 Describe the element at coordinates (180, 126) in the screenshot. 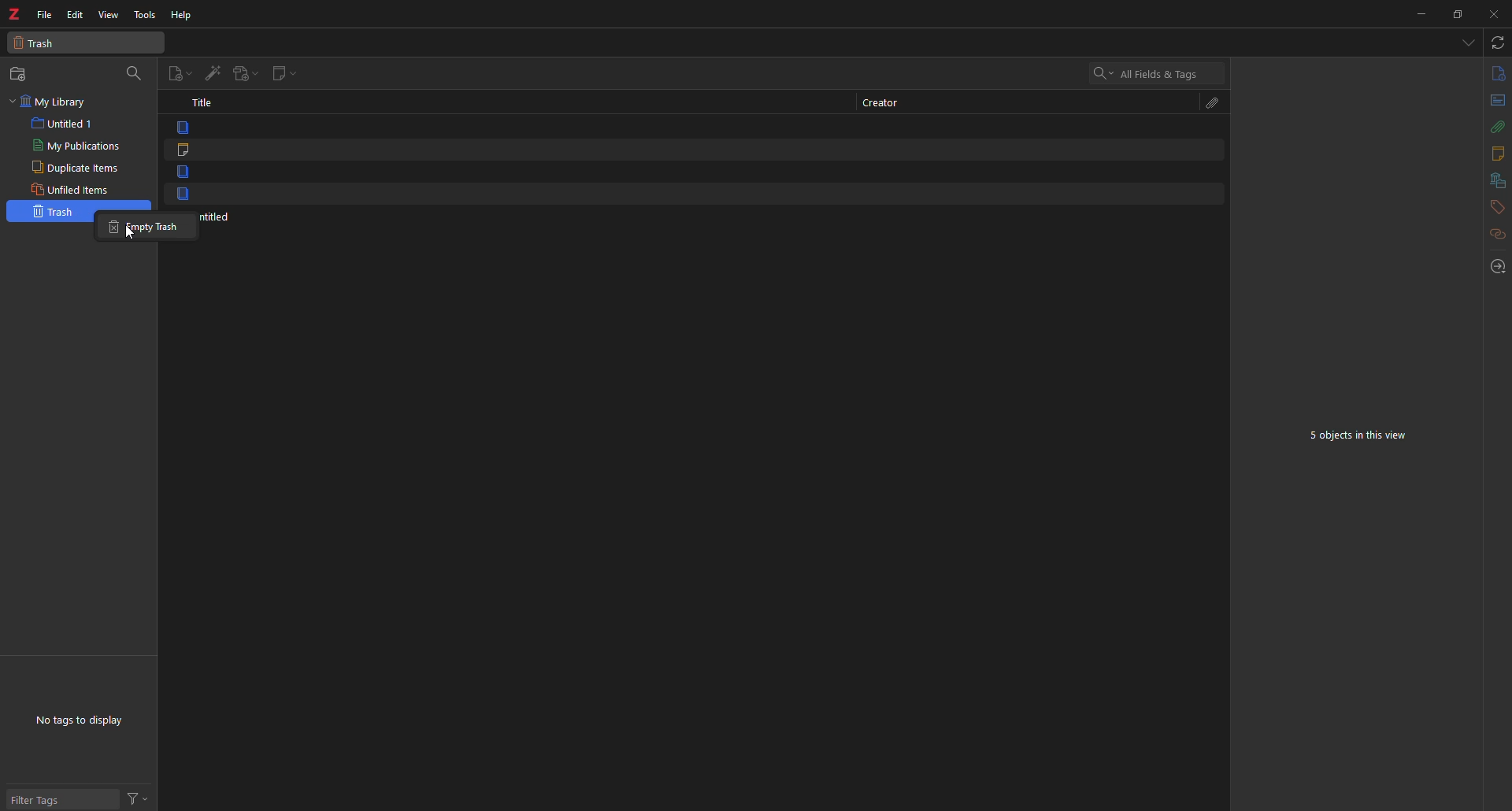

I see `item` at that location.